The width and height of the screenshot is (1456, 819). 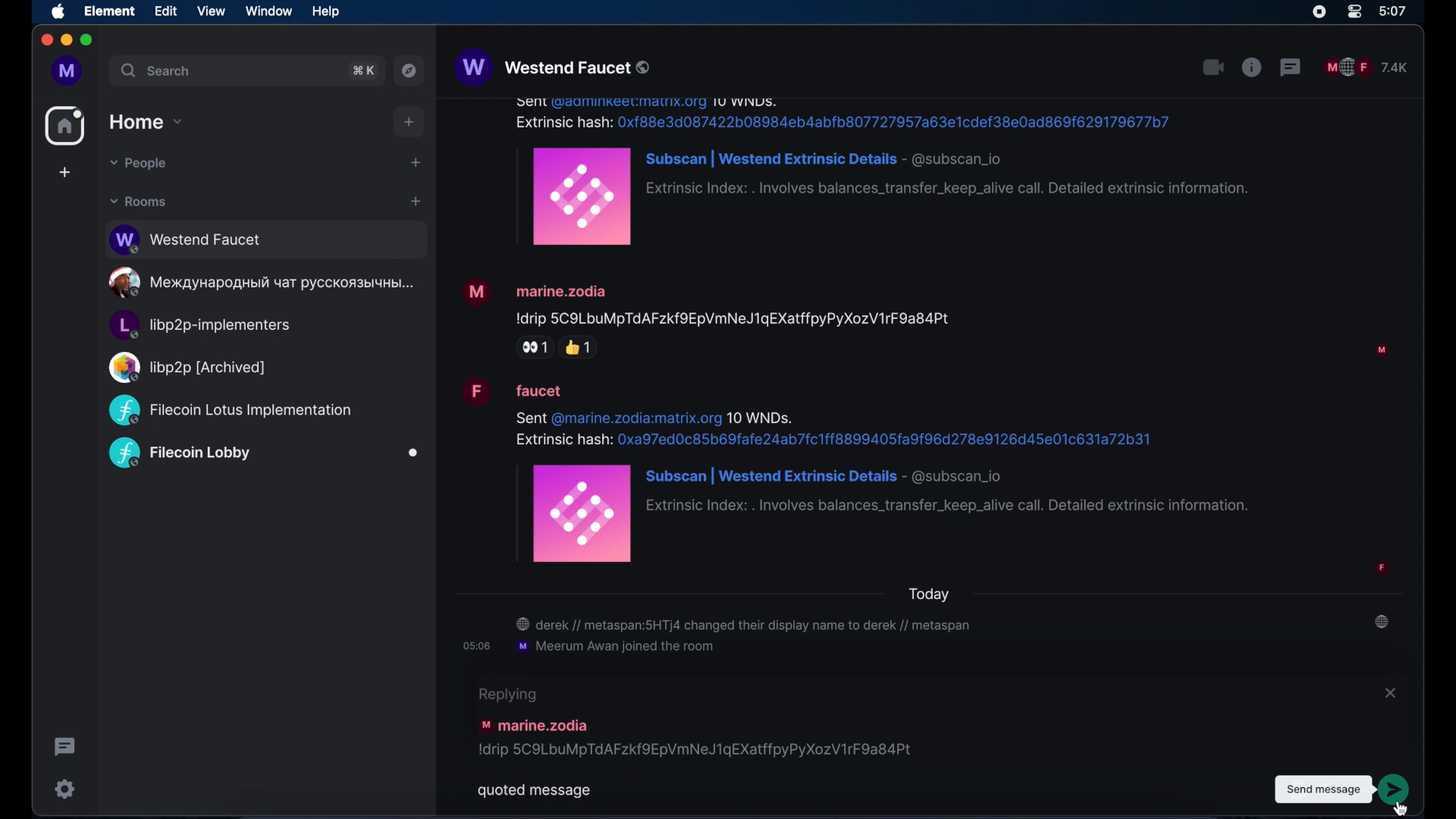 I want to click on public room, so click(x=264, y=454).